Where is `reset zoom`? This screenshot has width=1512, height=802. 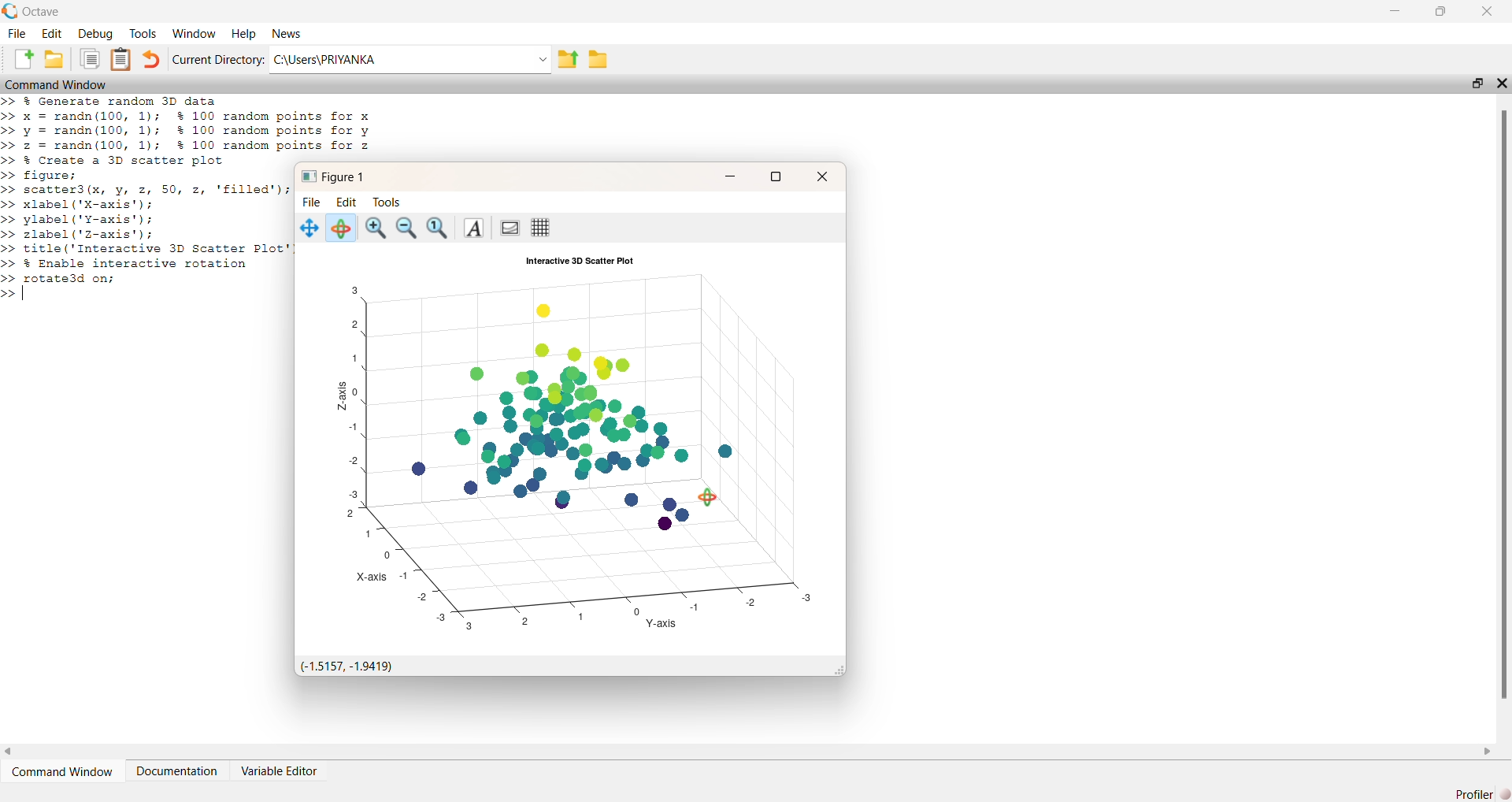
reset zoom is located at coordinates (439, 228).